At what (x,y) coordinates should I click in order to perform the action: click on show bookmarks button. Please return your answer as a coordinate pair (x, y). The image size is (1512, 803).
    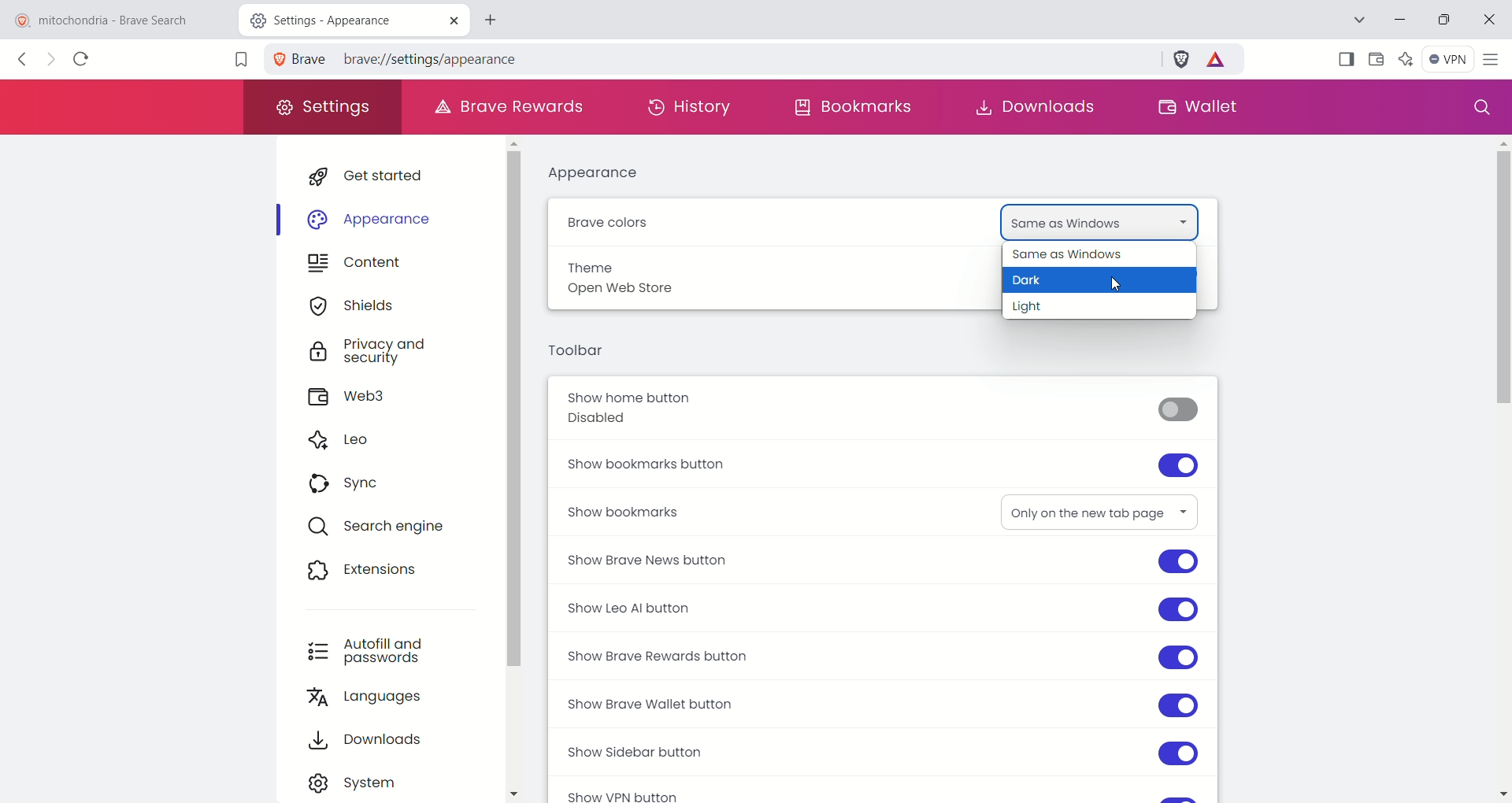
    Looking at the image, I should click on (887, 469).